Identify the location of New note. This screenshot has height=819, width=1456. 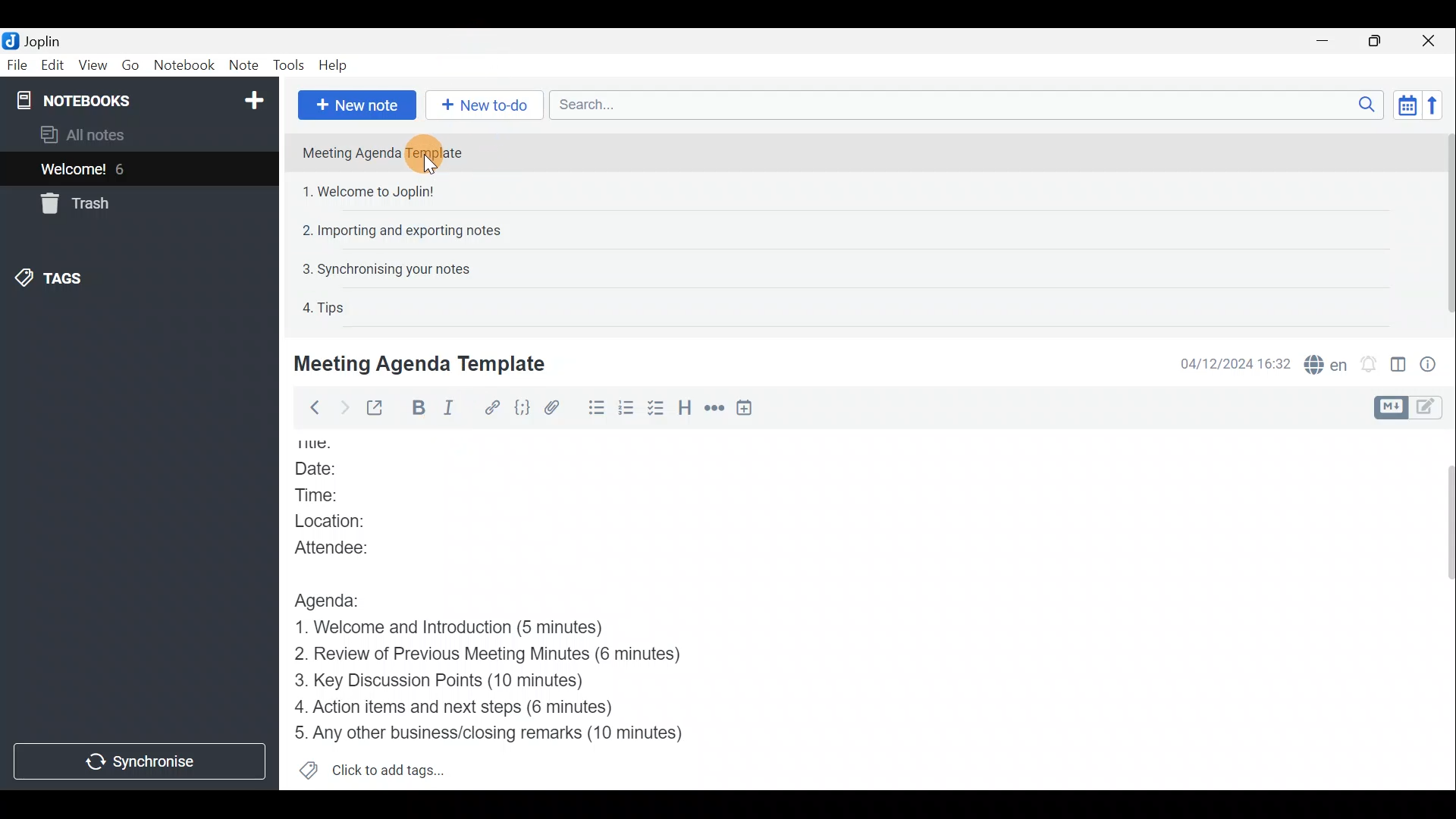
(357, 105).